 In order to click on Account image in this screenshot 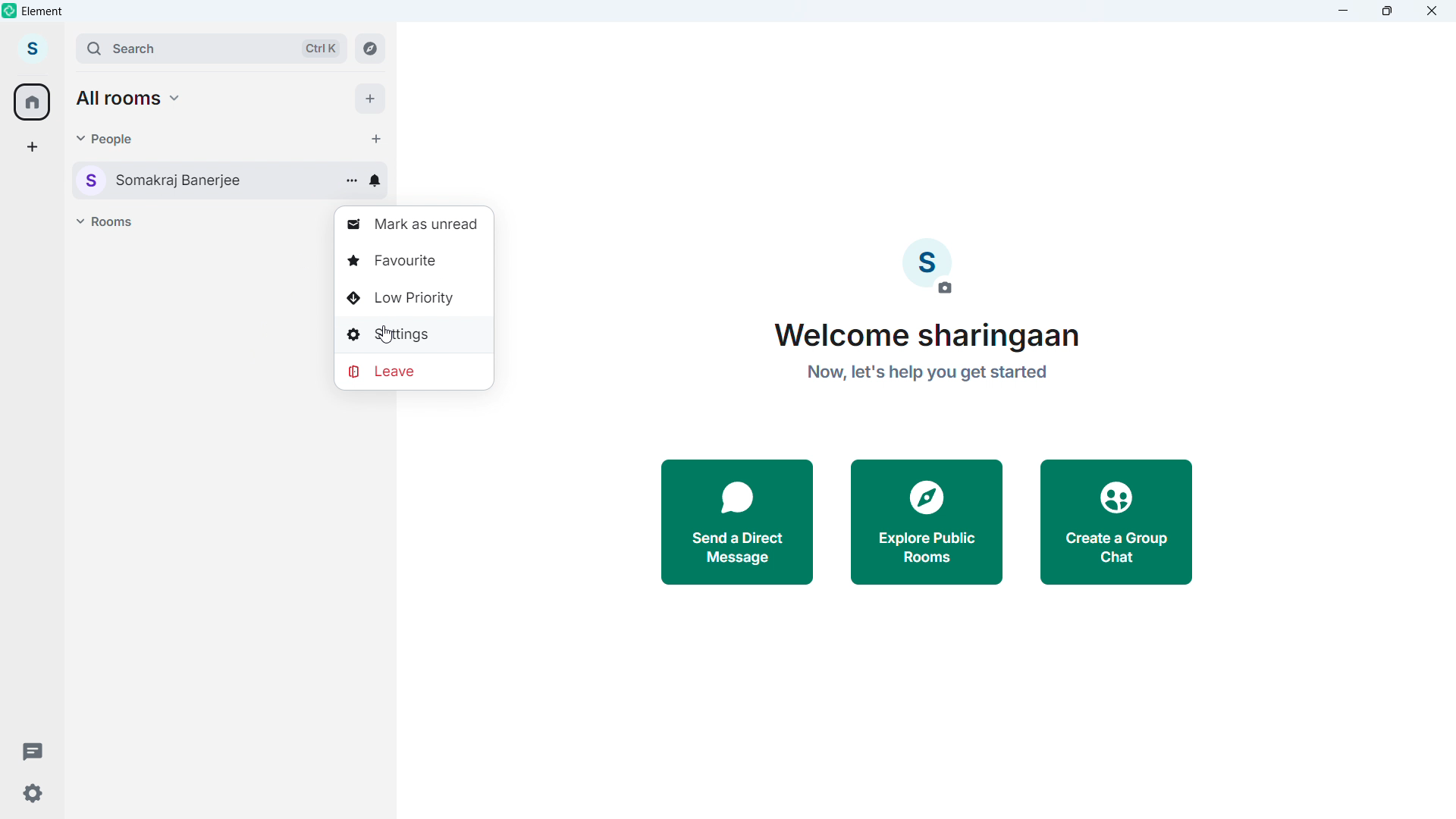, I will do `click(928, 266)`.